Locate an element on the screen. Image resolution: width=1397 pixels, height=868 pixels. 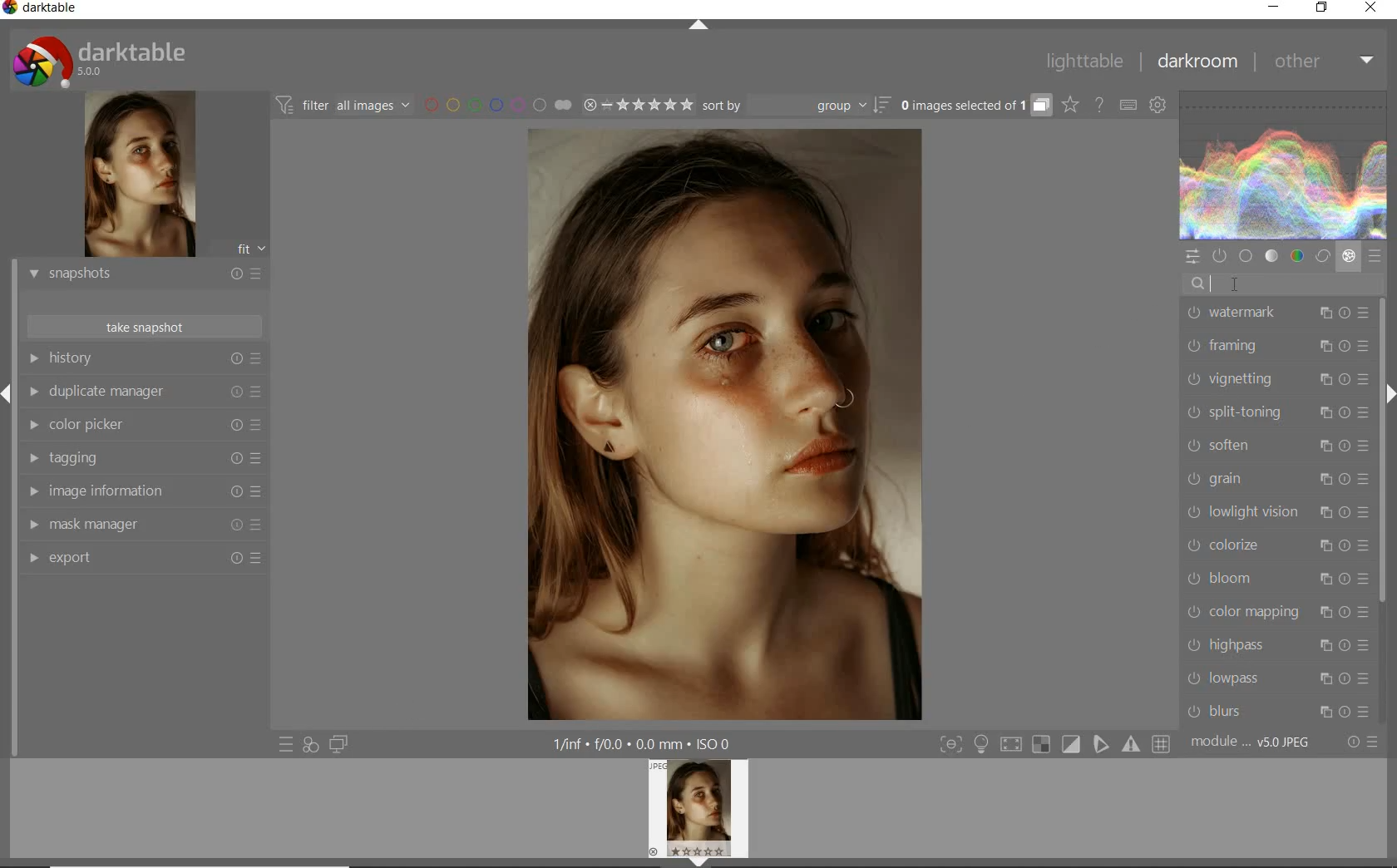
base is located at coordinates (1247, 257).